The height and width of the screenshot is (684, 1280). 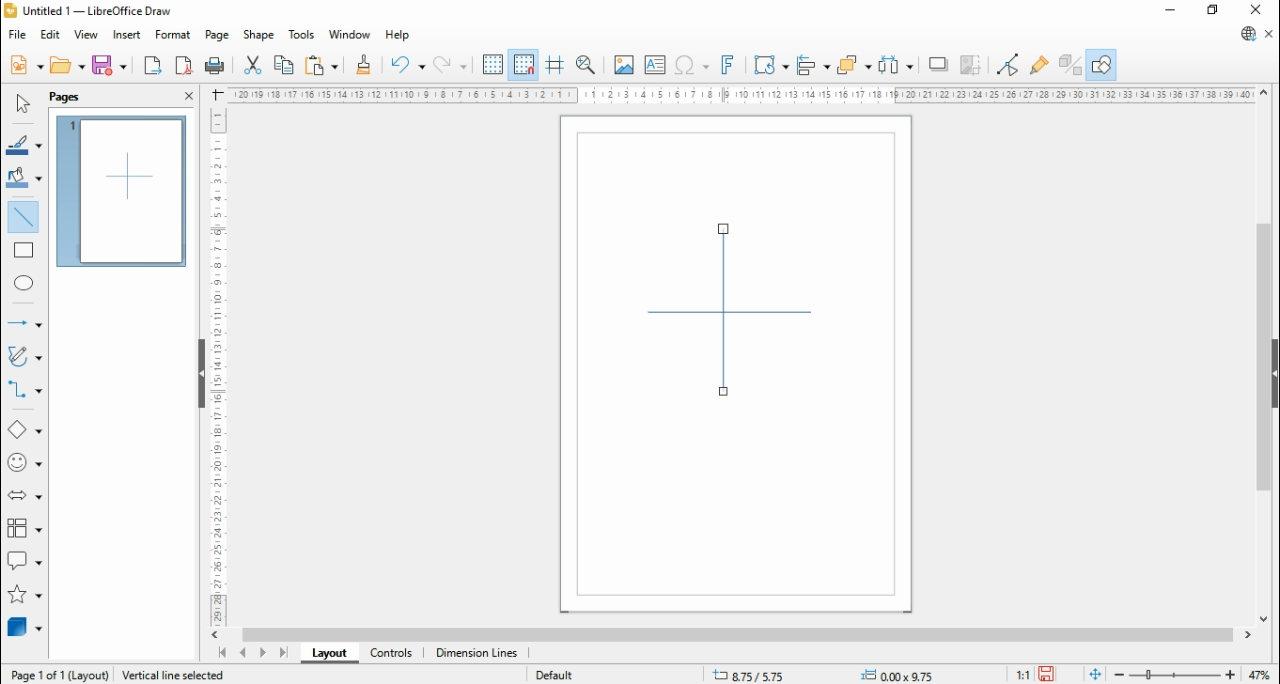 I want to click on curves and polygons, so click(x=26, y=355).